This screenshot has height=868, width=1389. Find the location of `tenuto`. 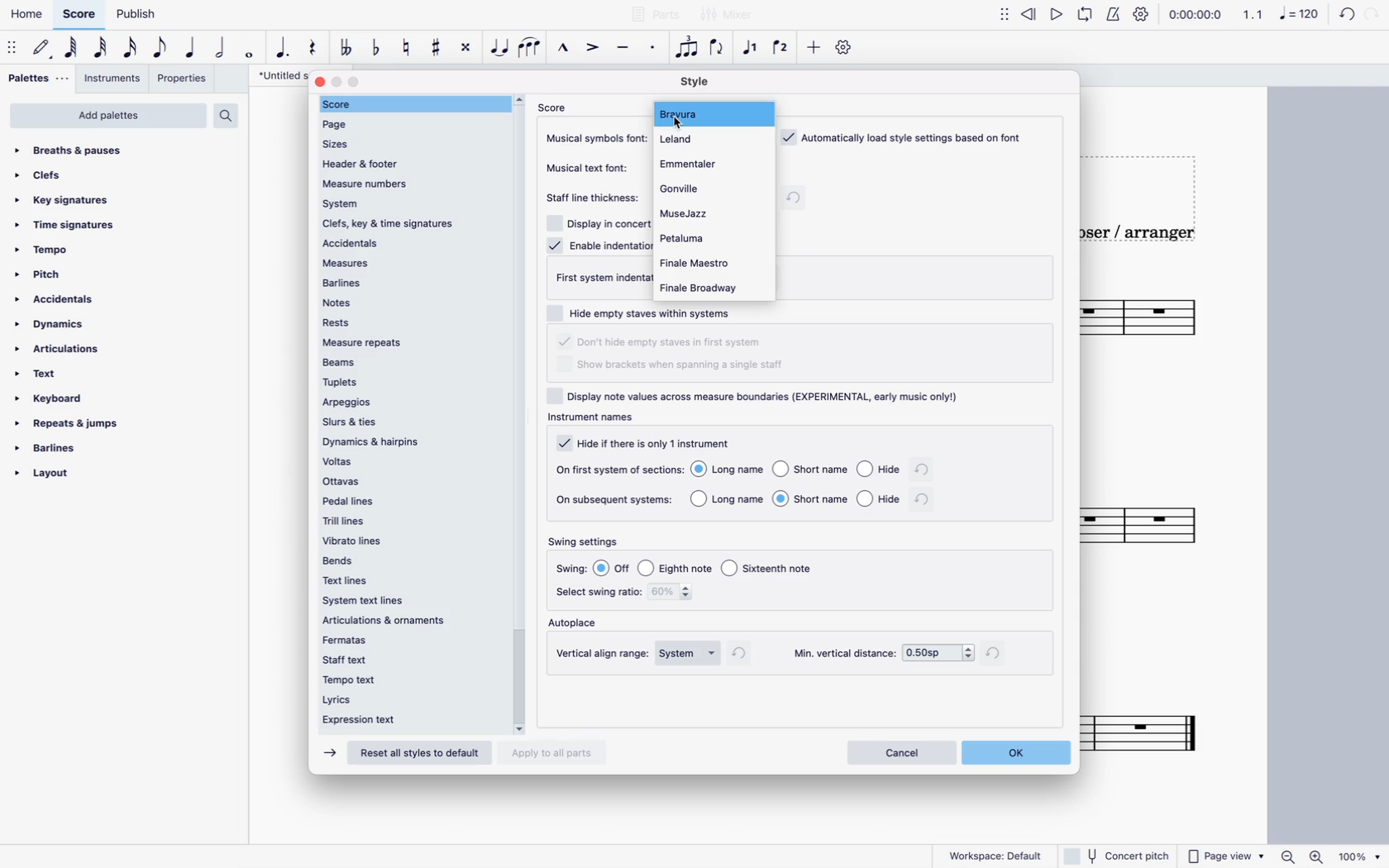

tenuto is located at coordinates (627, 53).